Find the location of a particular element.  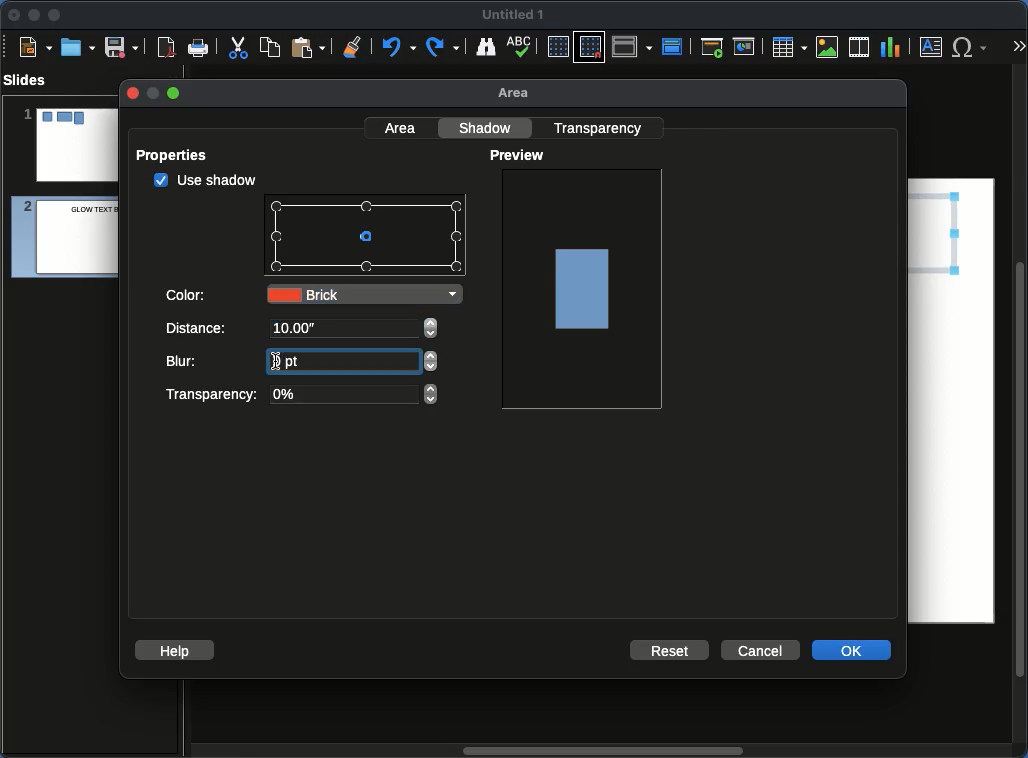

Display views is located at coordinates (635, 45).